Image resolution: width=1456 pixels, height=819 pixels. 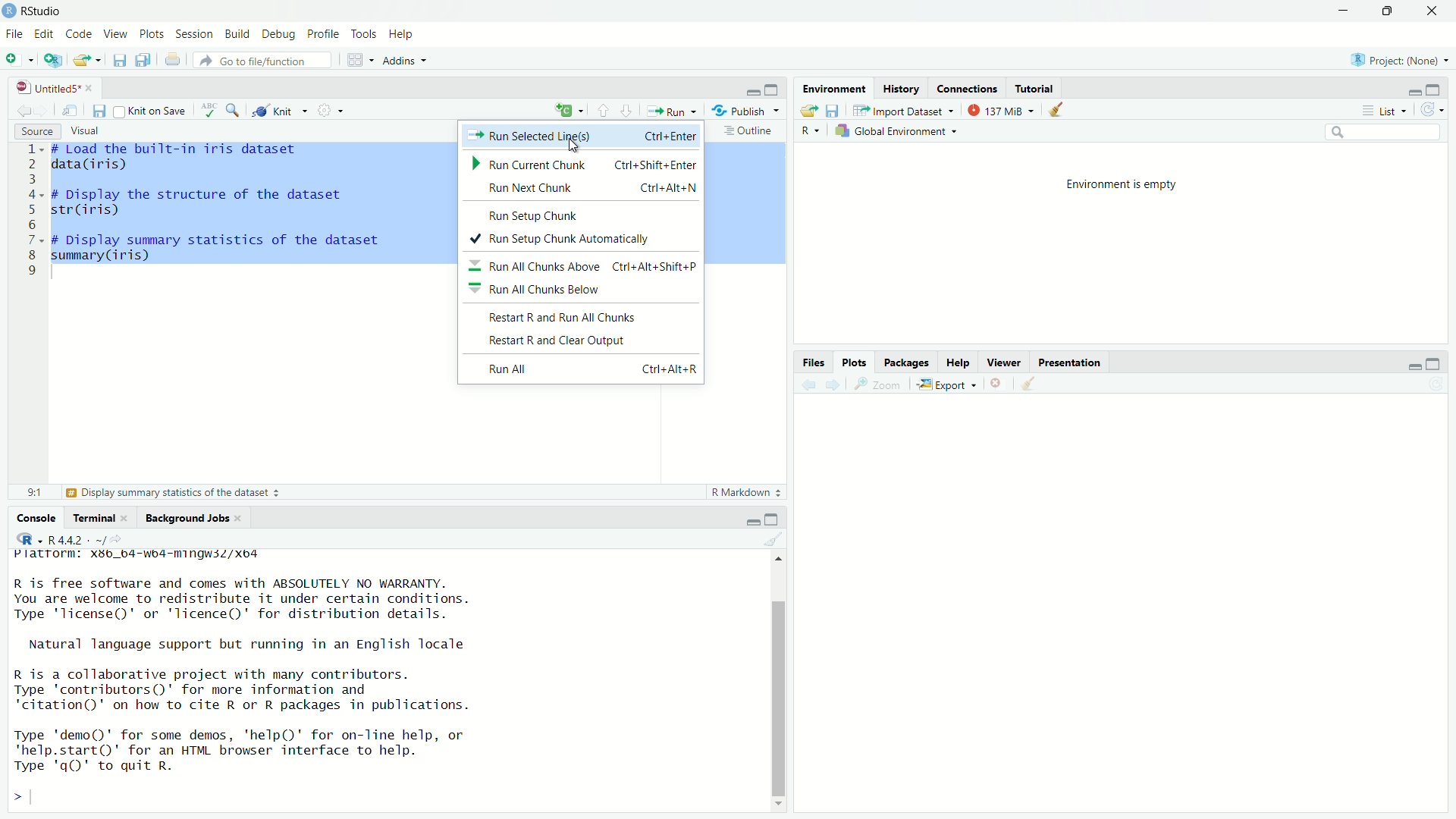 What do you see at coordinates (528, 217) in the screenshot?
I see `Run Setup Chunk` at bounding box center [528, 217].